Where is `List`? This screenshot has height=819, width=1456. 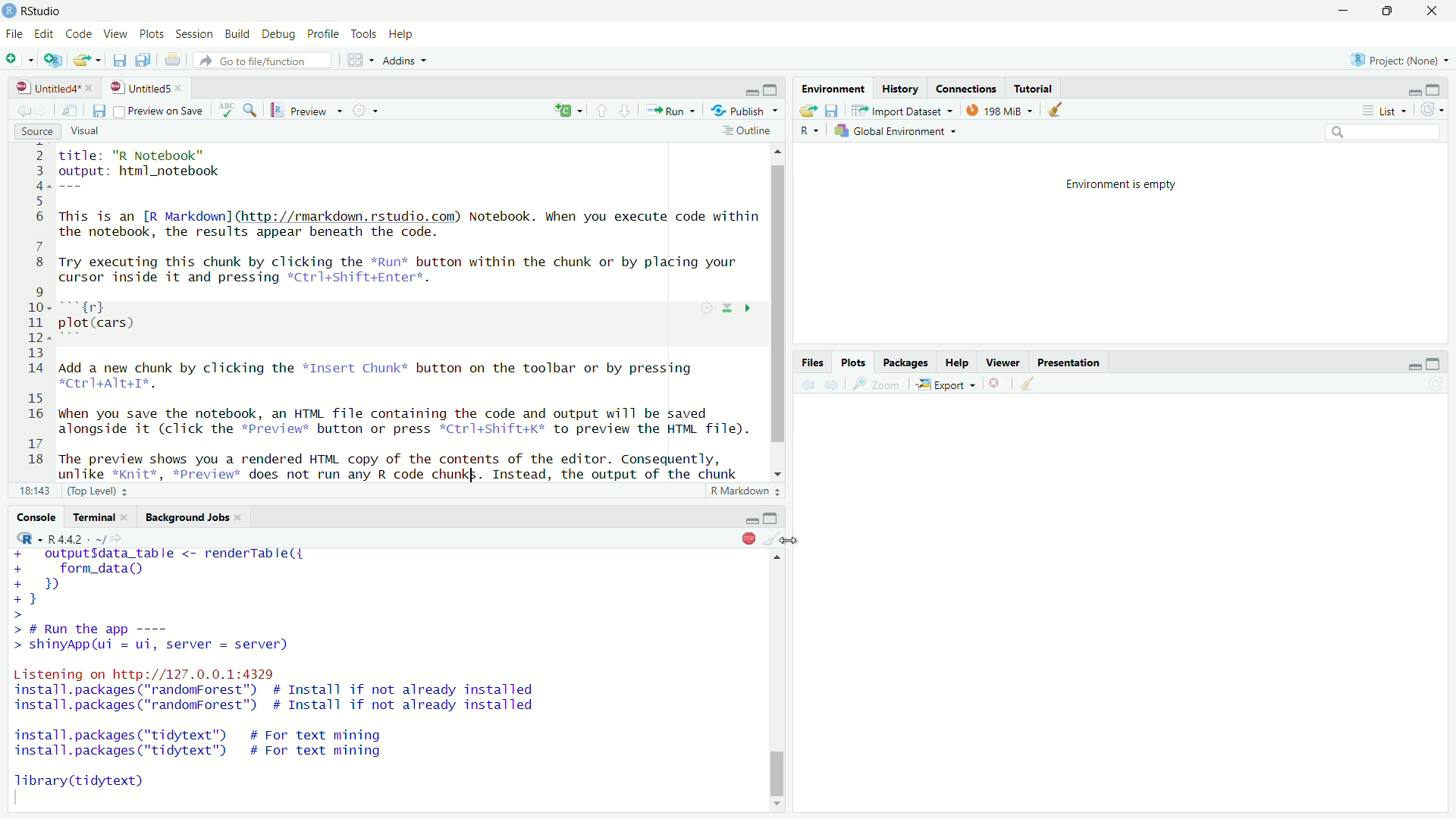 List is located at coordinates (1389, 111).